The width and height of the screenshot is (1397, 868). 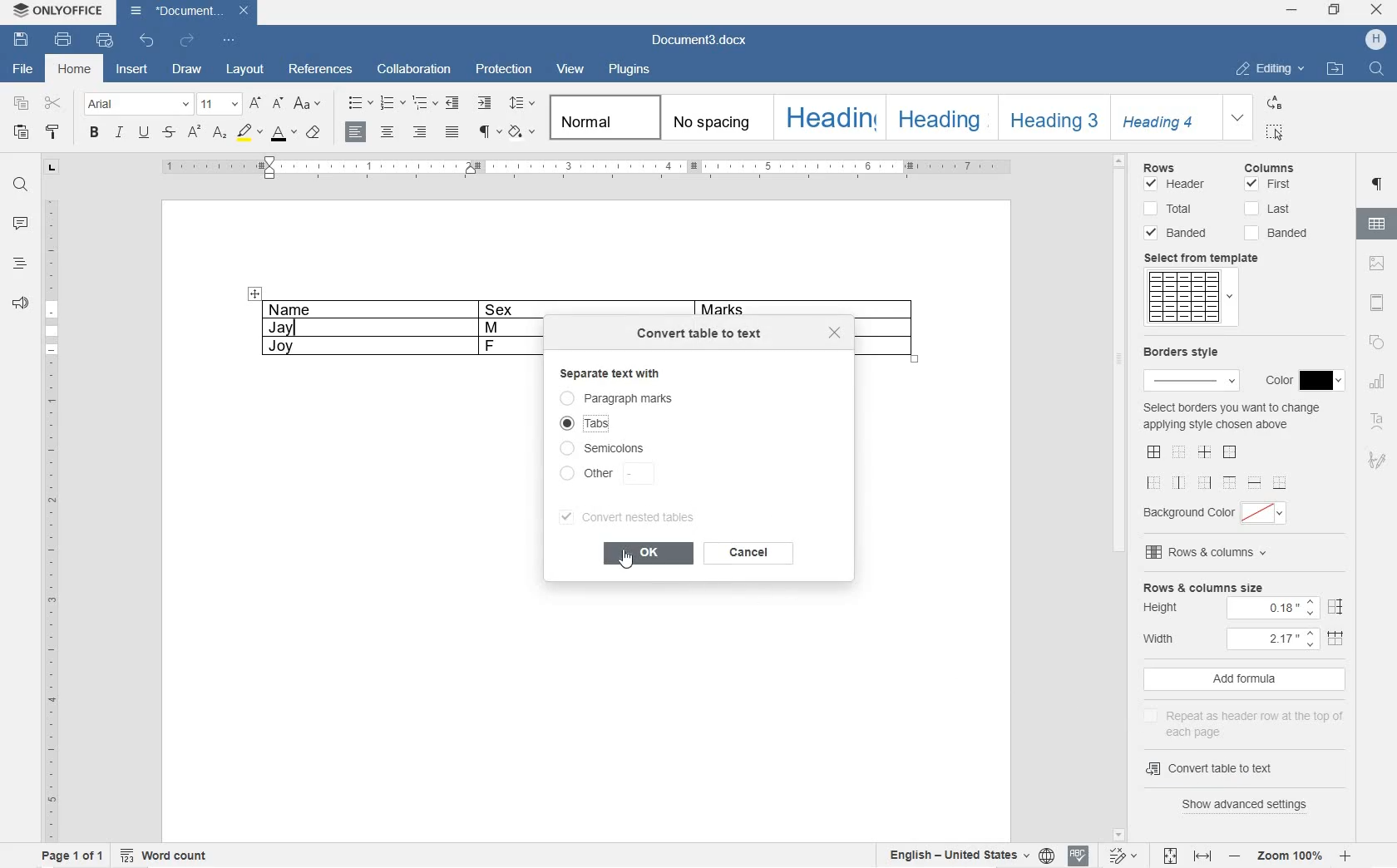 I want to click on set outer border an all inner lines, so click(x=1153, y=451).